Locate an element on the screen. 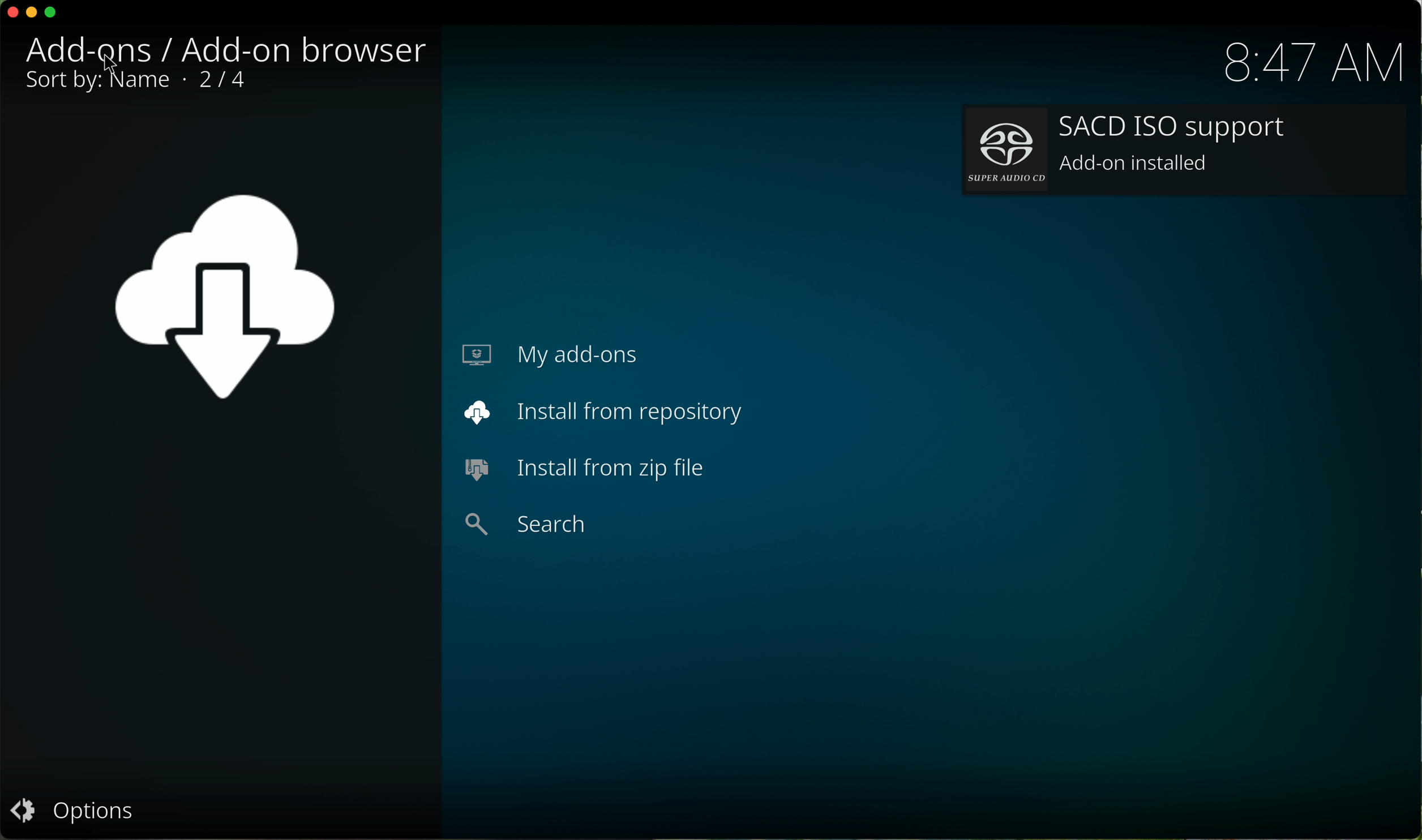 Image resolution: width=1422 pixels, height=840 pixels. my add-ons is located at coordinates (552, 355).